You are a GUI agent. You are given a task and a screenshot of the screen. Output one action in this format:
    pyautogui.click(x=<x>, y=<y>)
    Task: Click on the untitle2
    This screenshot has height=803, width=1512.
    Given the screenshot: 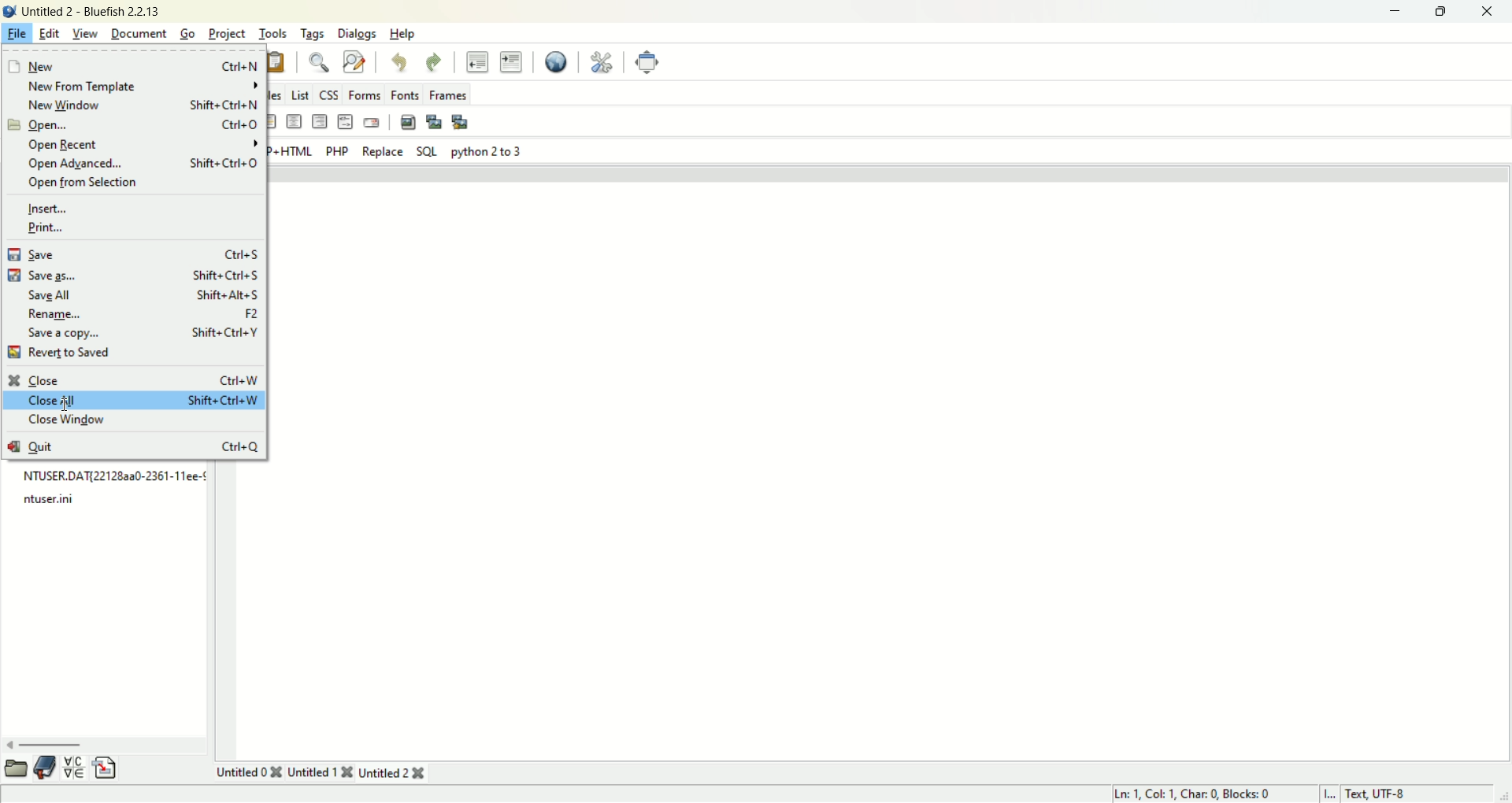 What is the action you would take?
    pyautogui.click(x=395, y=773)
    